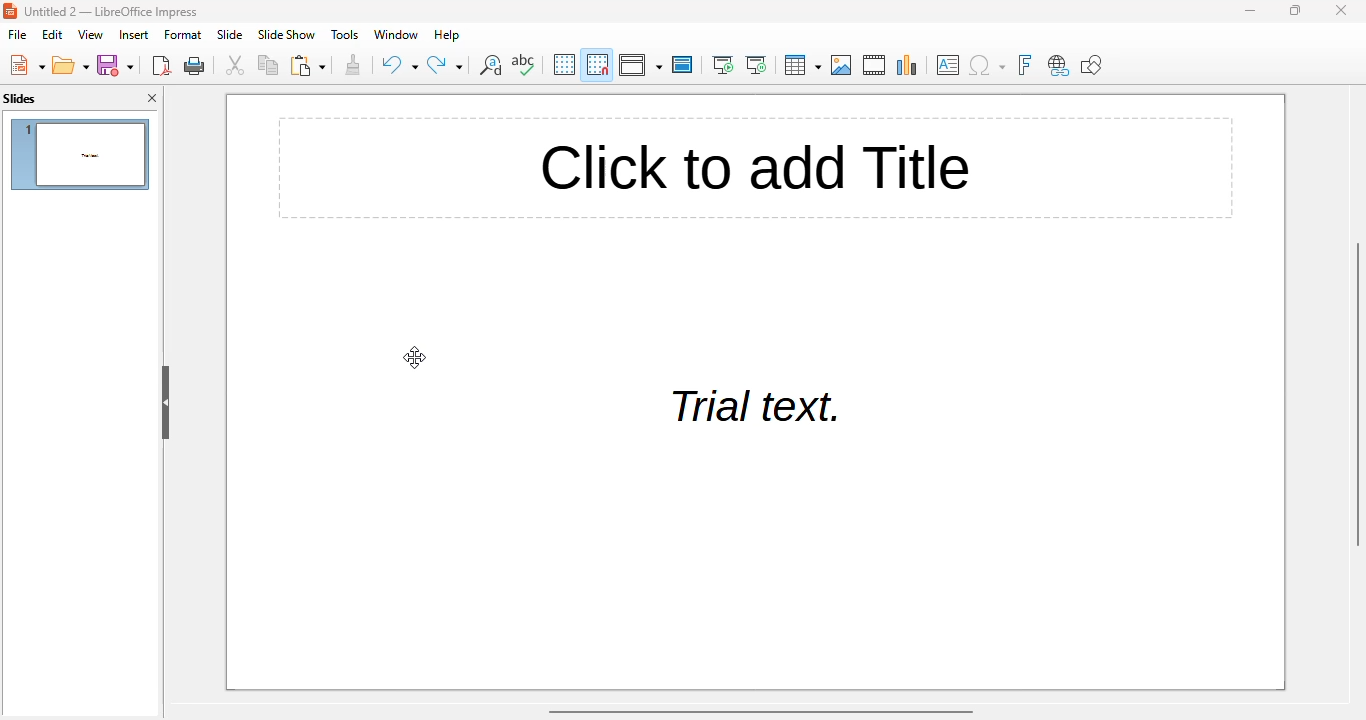 The height and width of the screenshot is (720, 1366). Describe the element at coordinates (414, 357) in the screenshot. I see `cursor` at that location.